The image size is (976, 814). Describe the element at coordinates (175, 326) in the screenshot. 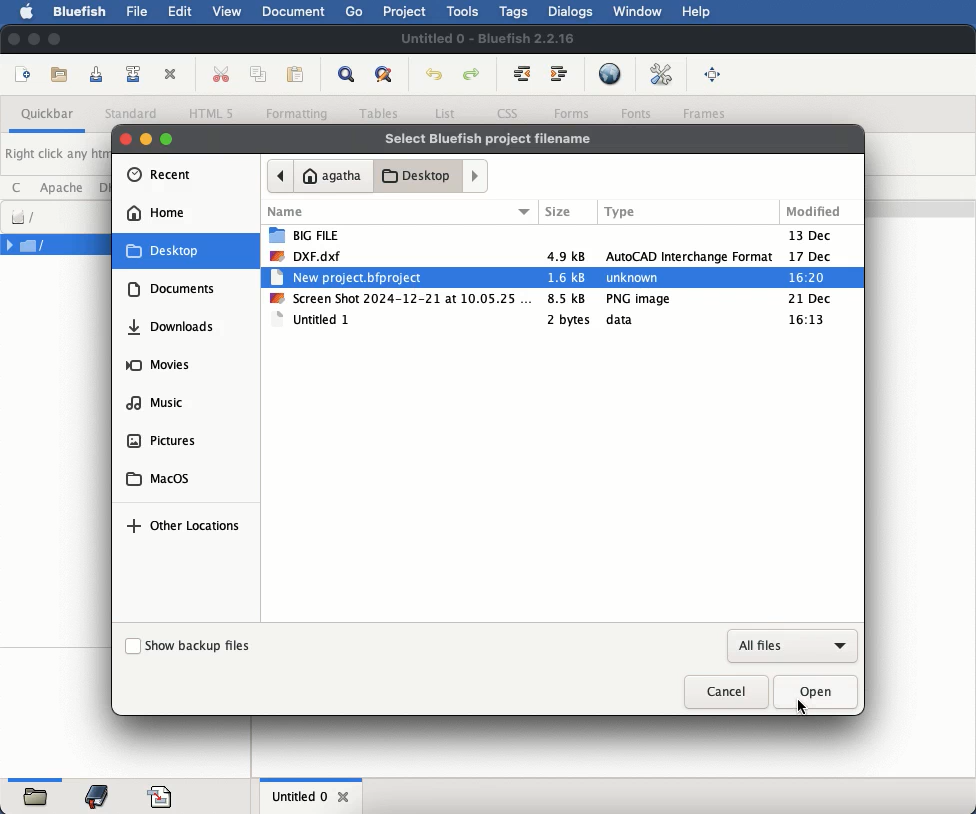

I see `downloads` at that location.